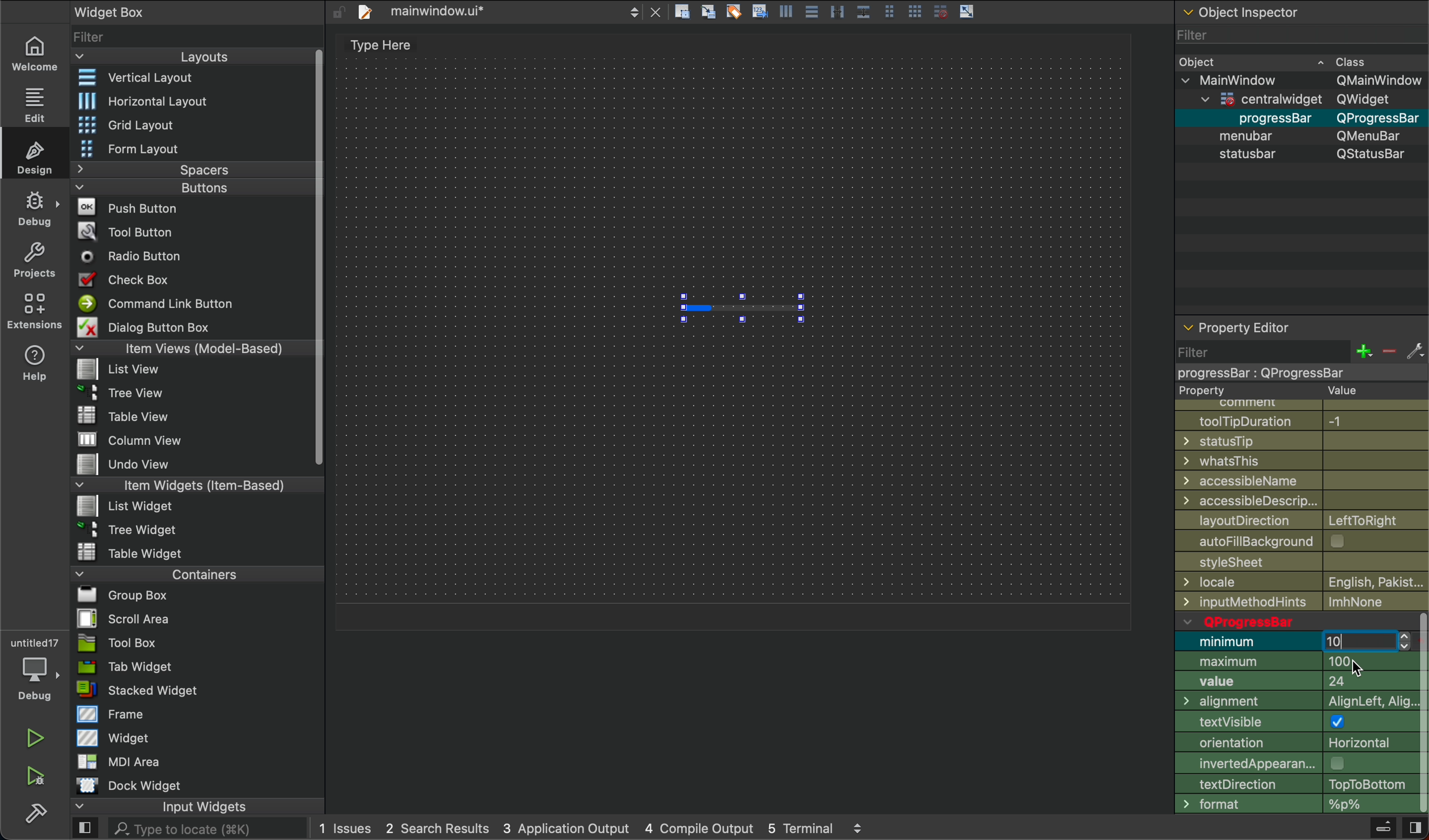 This screenshot has width=1429, height=840. What do you see at coordinates (1294, 684) in the screenshot?
I see `value` at bounding box center [1294, 684].